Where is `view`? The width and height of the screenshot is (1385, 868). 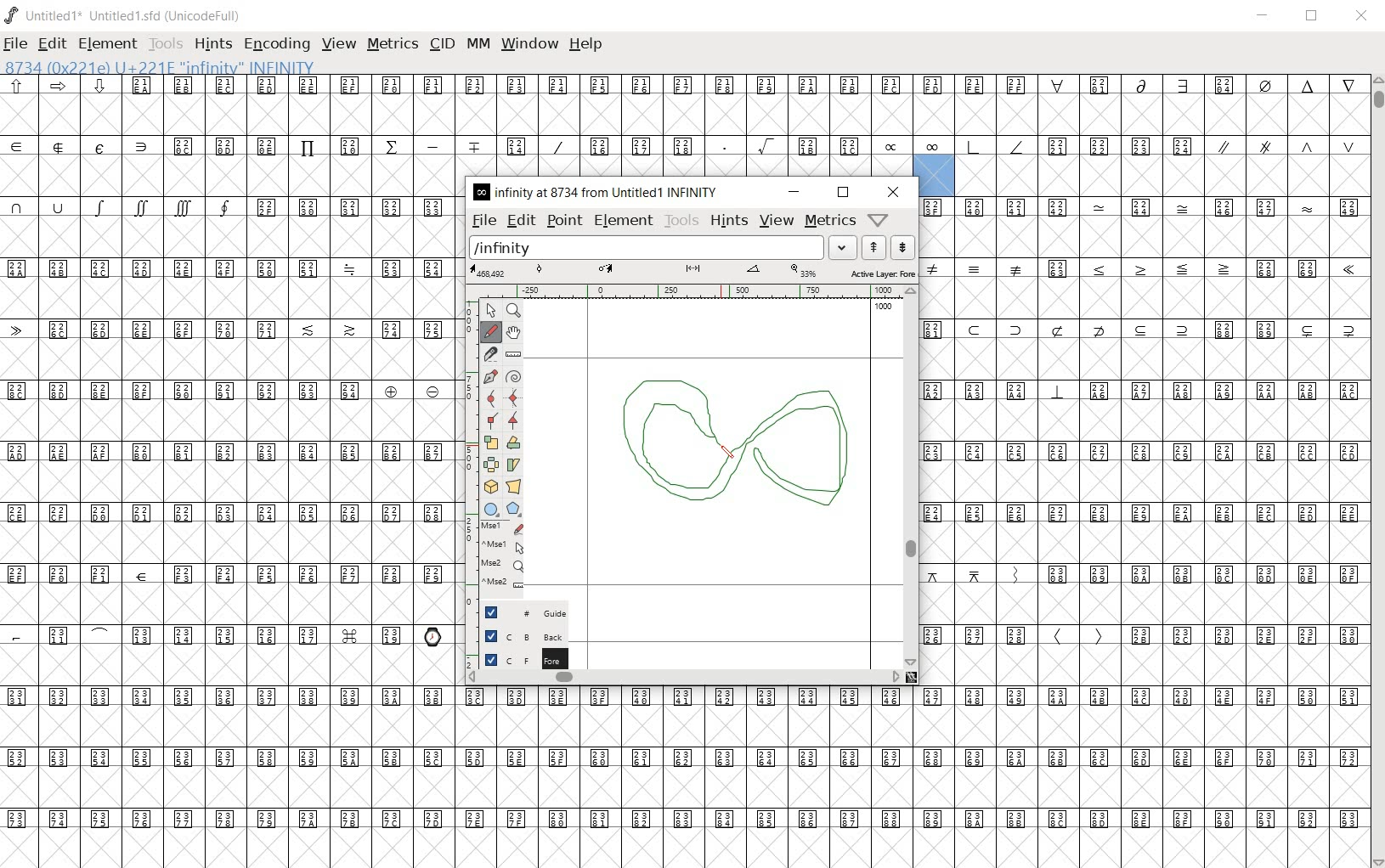 view is located at coordinates (777, 221).